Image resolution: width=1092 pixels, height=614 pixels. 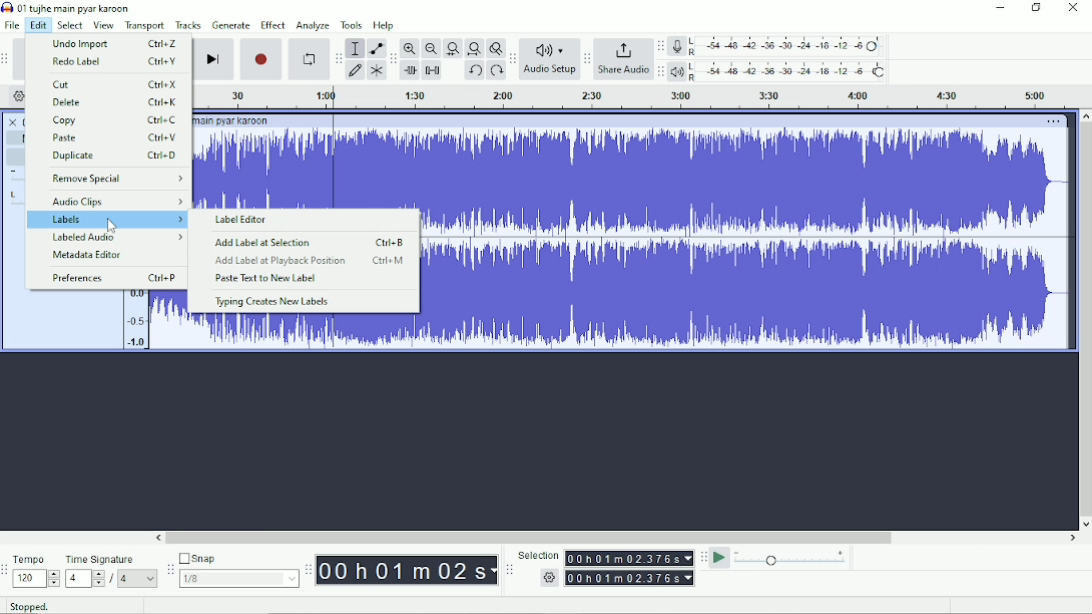 What do you see at coordinates (116, 178) in the screenshot?
I see `Remove Special` at bounding box center [116, 178].